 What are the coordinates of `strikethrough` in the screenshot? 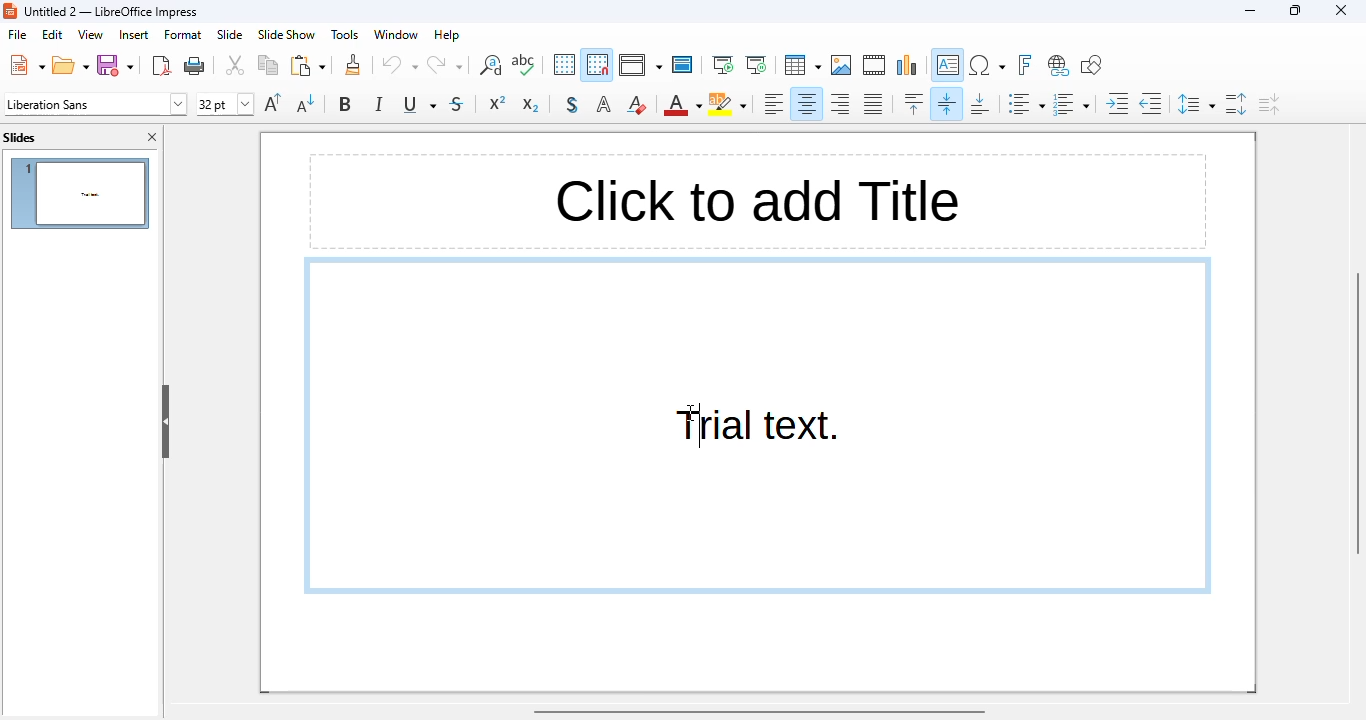 It's located at (457, 103).